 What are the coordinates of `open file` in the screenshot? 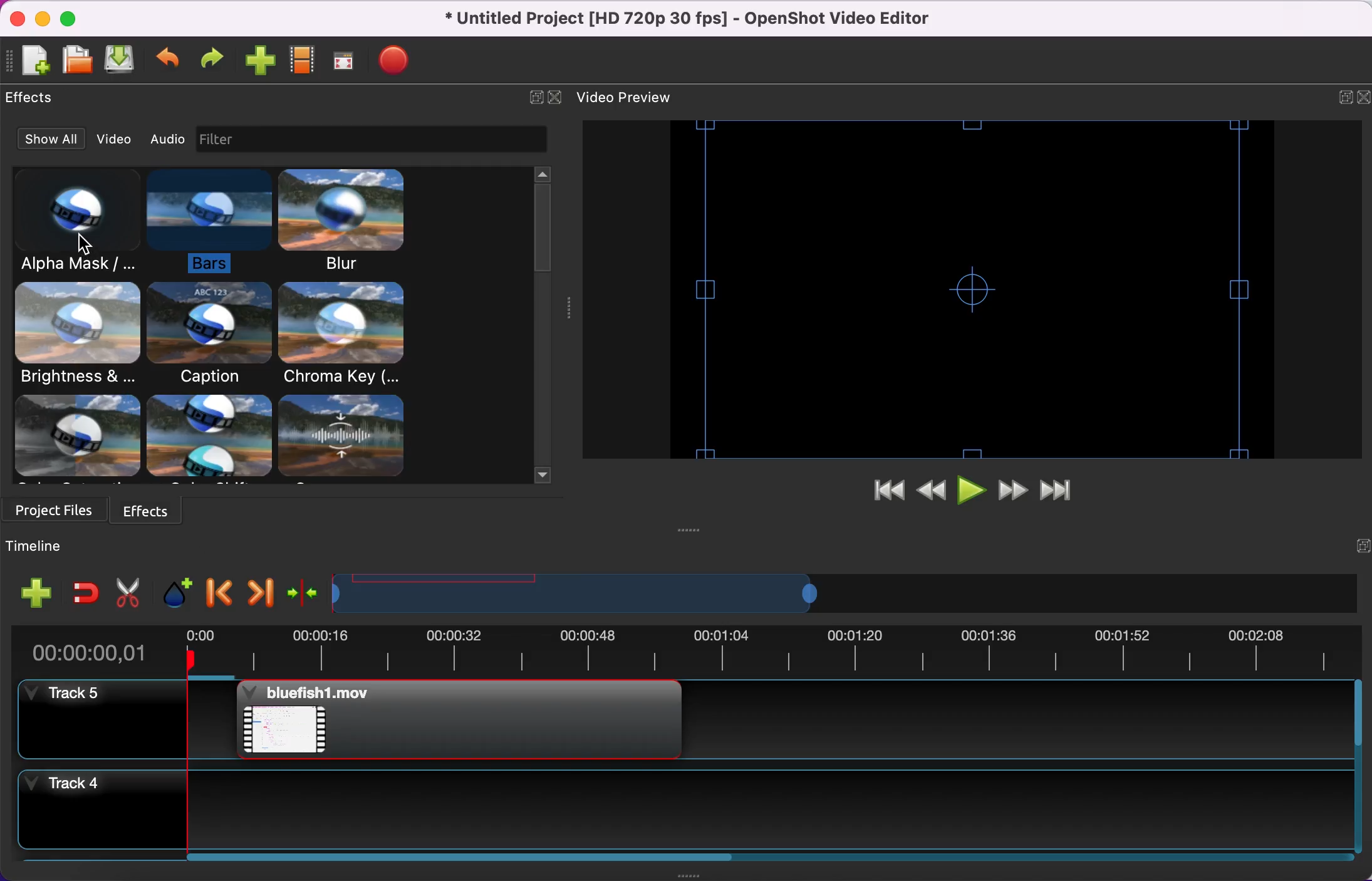 It's located at (77, 61).